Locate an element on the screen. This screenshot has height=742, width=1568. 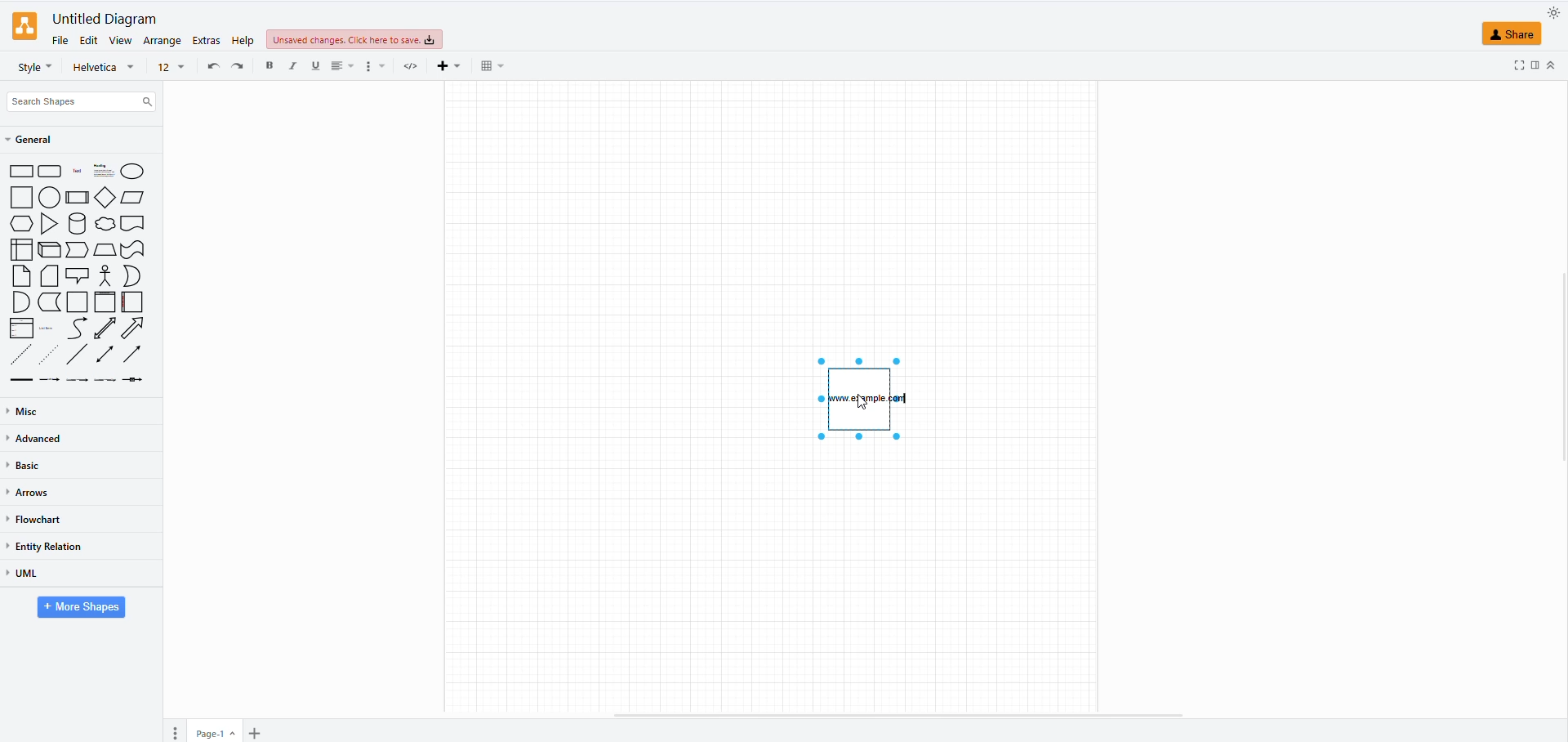
heading is located at coordinates (102, 171).